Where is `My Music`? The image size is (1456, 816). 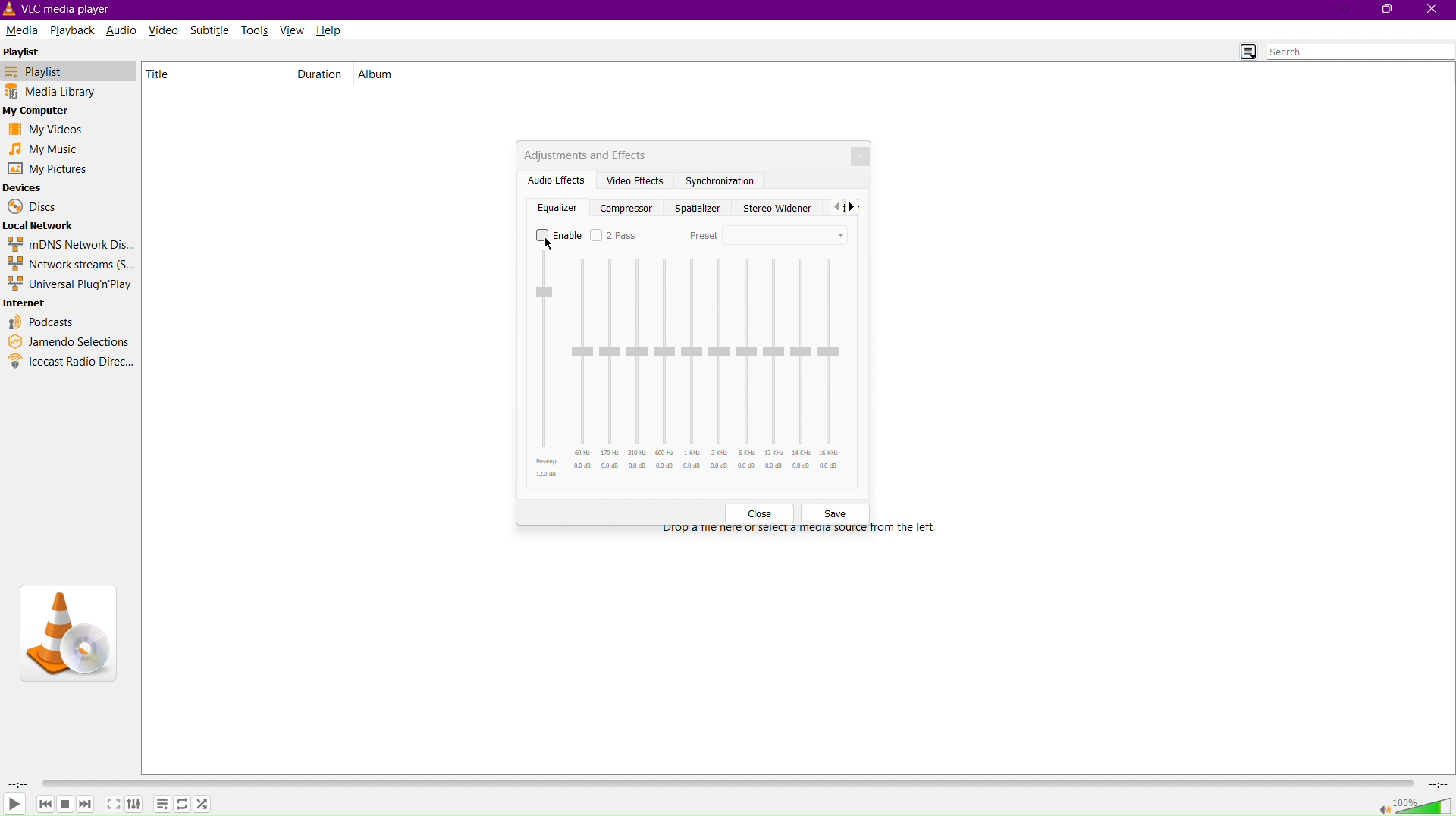
My Music is located at coordinates (45, 150).